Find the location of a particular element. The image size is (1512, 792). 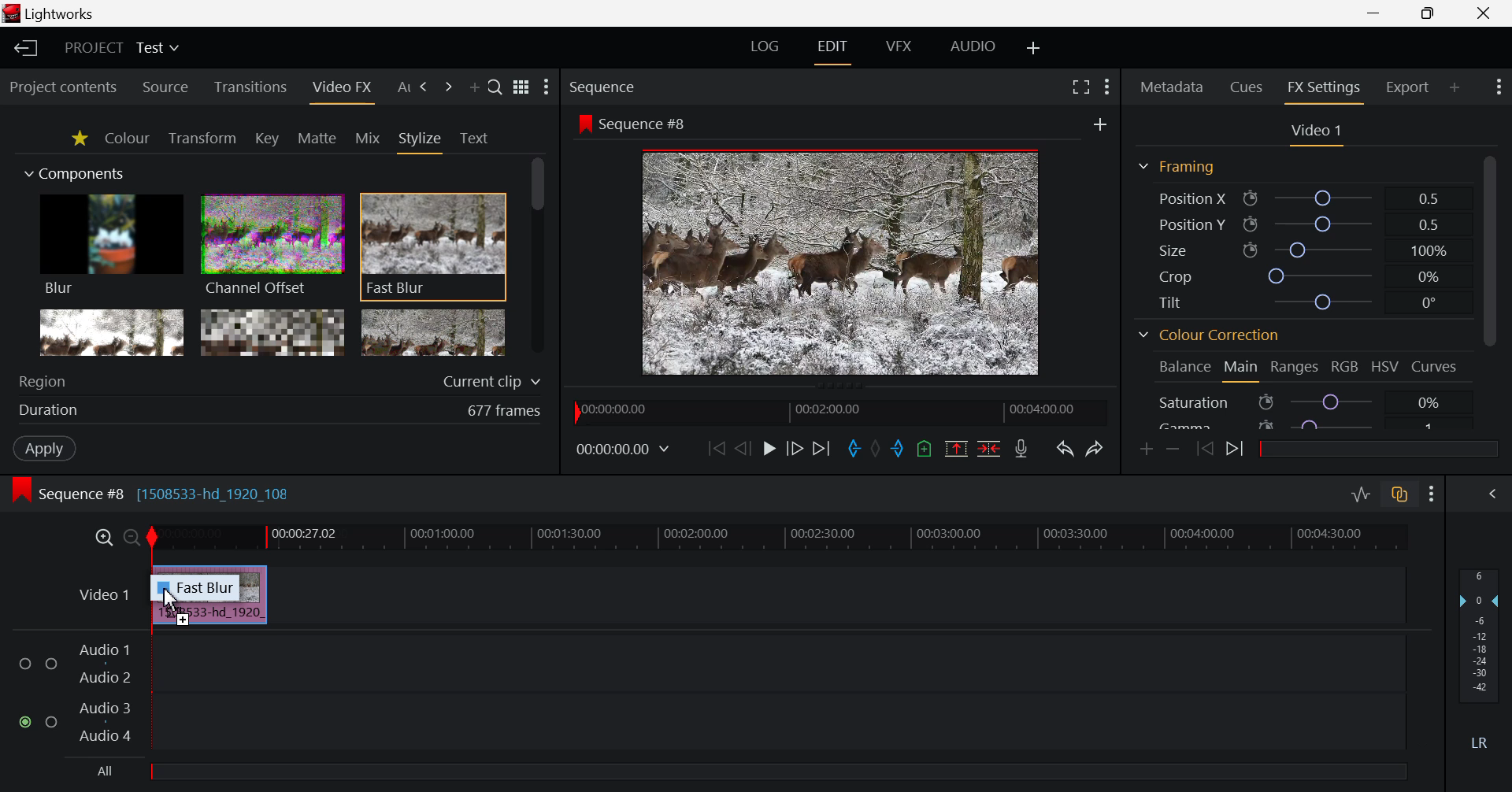

VFX is located at coordinates (899, 50).